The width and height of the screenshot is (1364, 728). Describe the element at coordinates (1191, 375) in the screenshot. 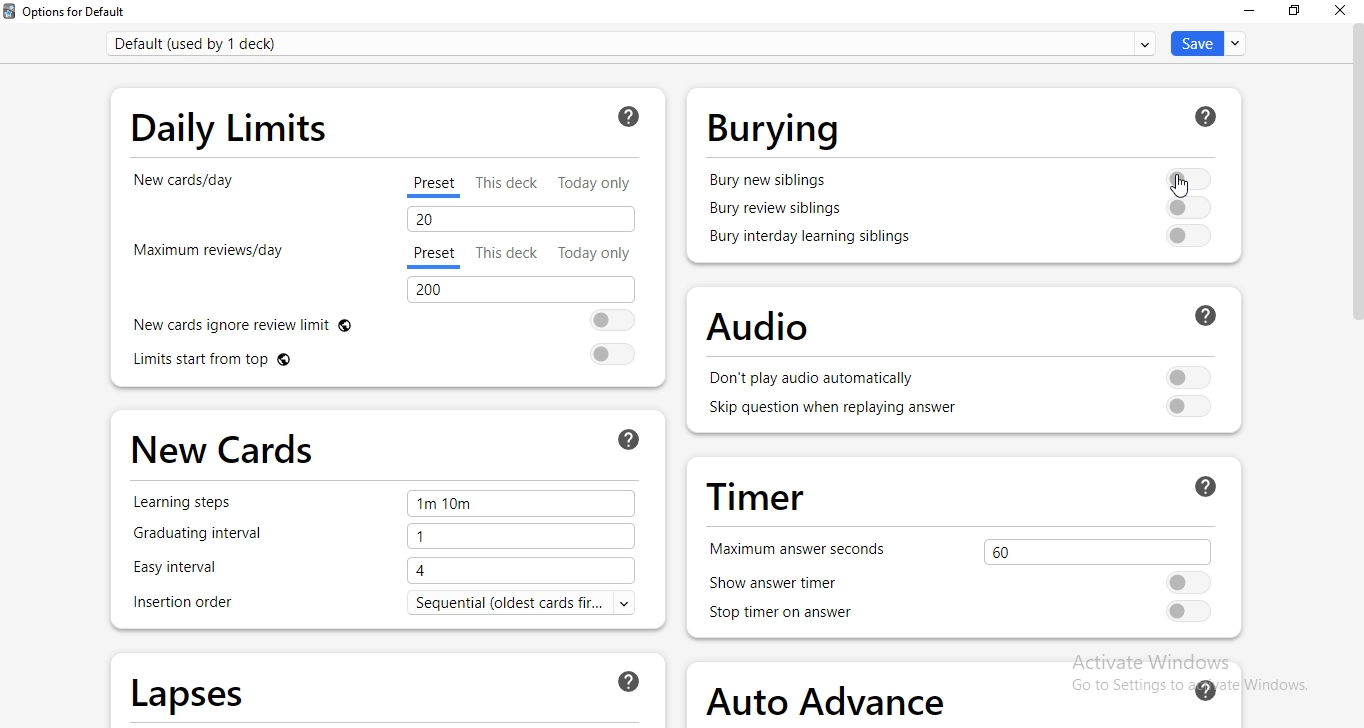

I see `Toggle` at that location.